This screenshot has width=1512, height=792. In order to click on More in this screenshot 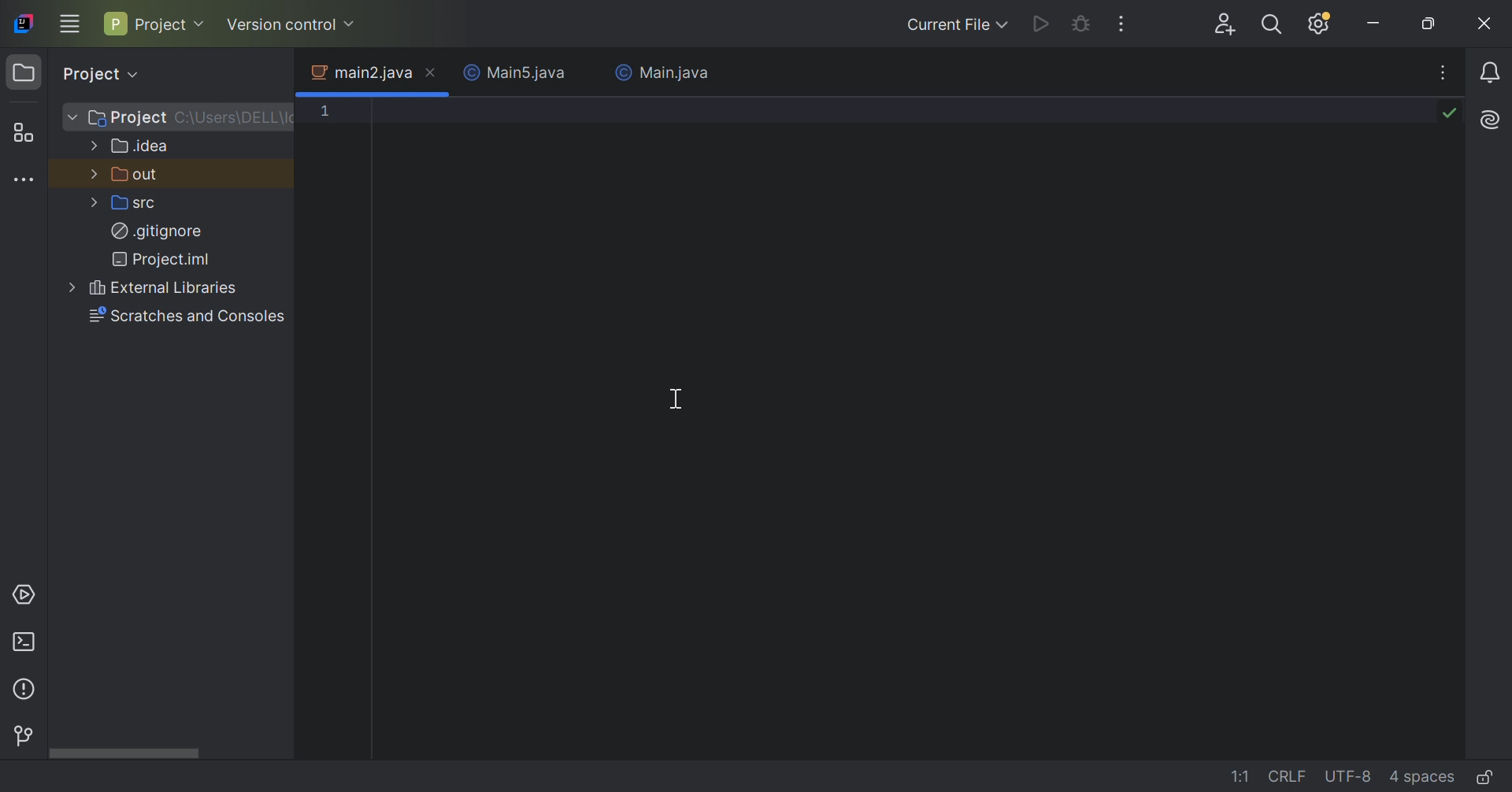, I will do `click(91, 145)`.